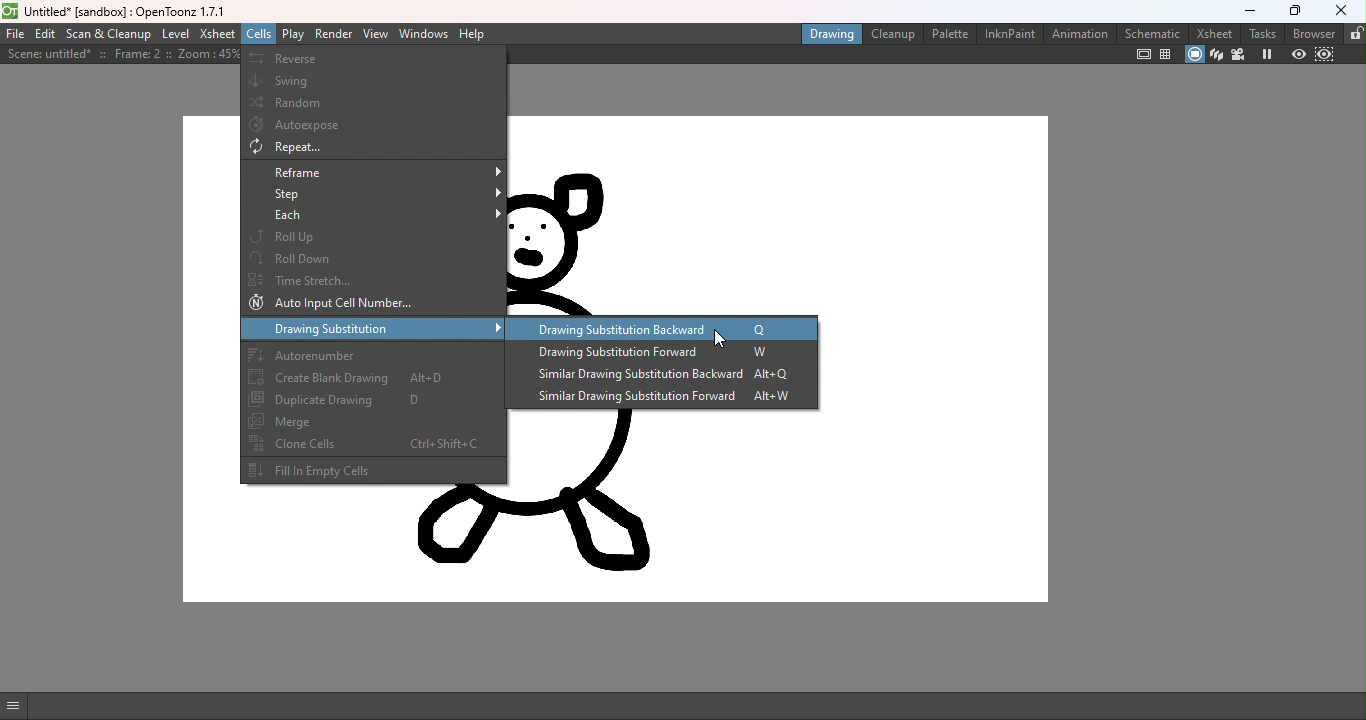 This screenshot has height=720, width=1366. I want to click on View, so click(376, 35).